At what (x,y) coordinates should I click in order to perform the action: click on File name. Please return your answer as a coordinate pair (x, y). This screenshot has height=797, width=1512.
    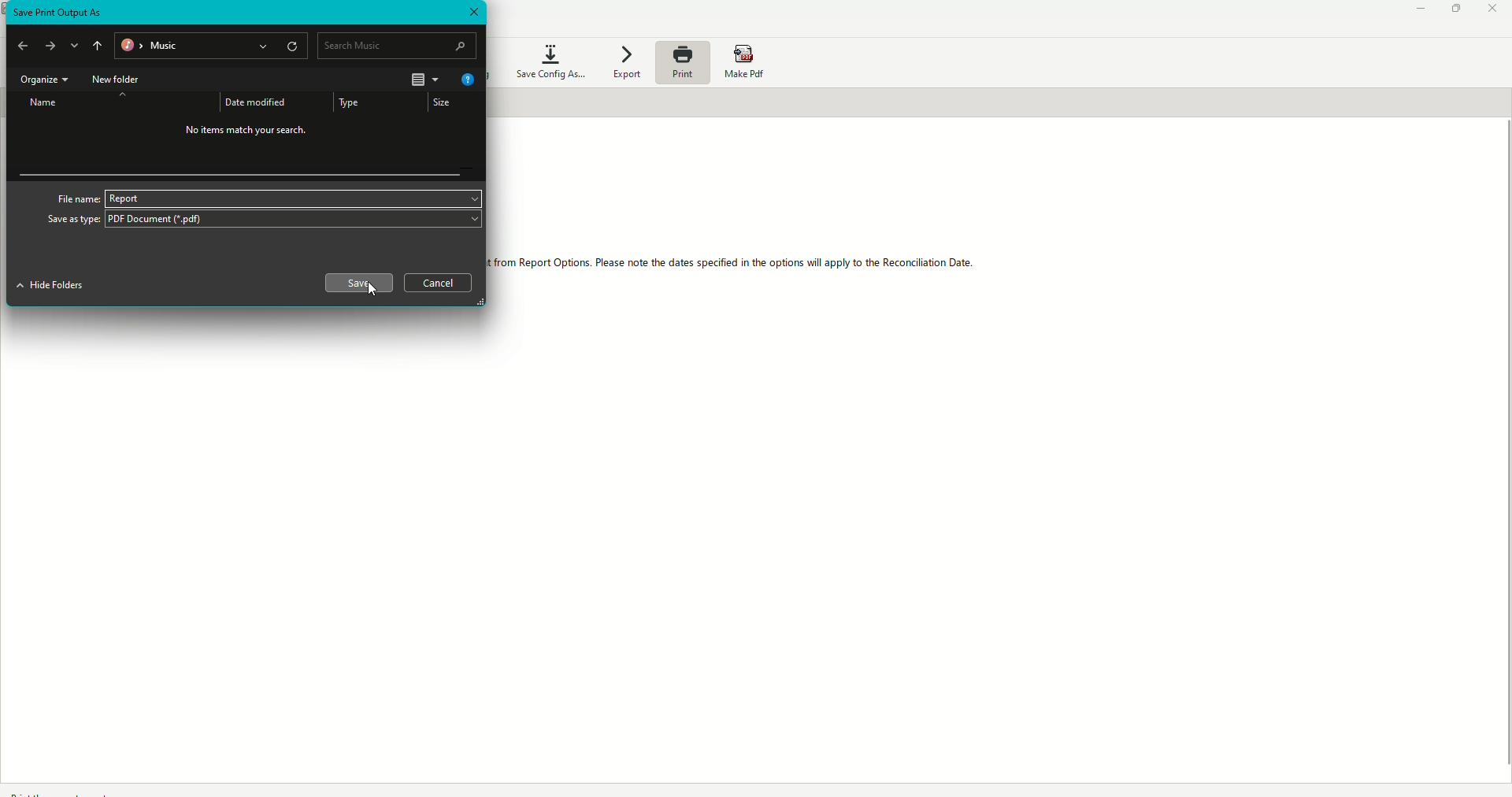
    Looking at the image, I should click on (75, 198).